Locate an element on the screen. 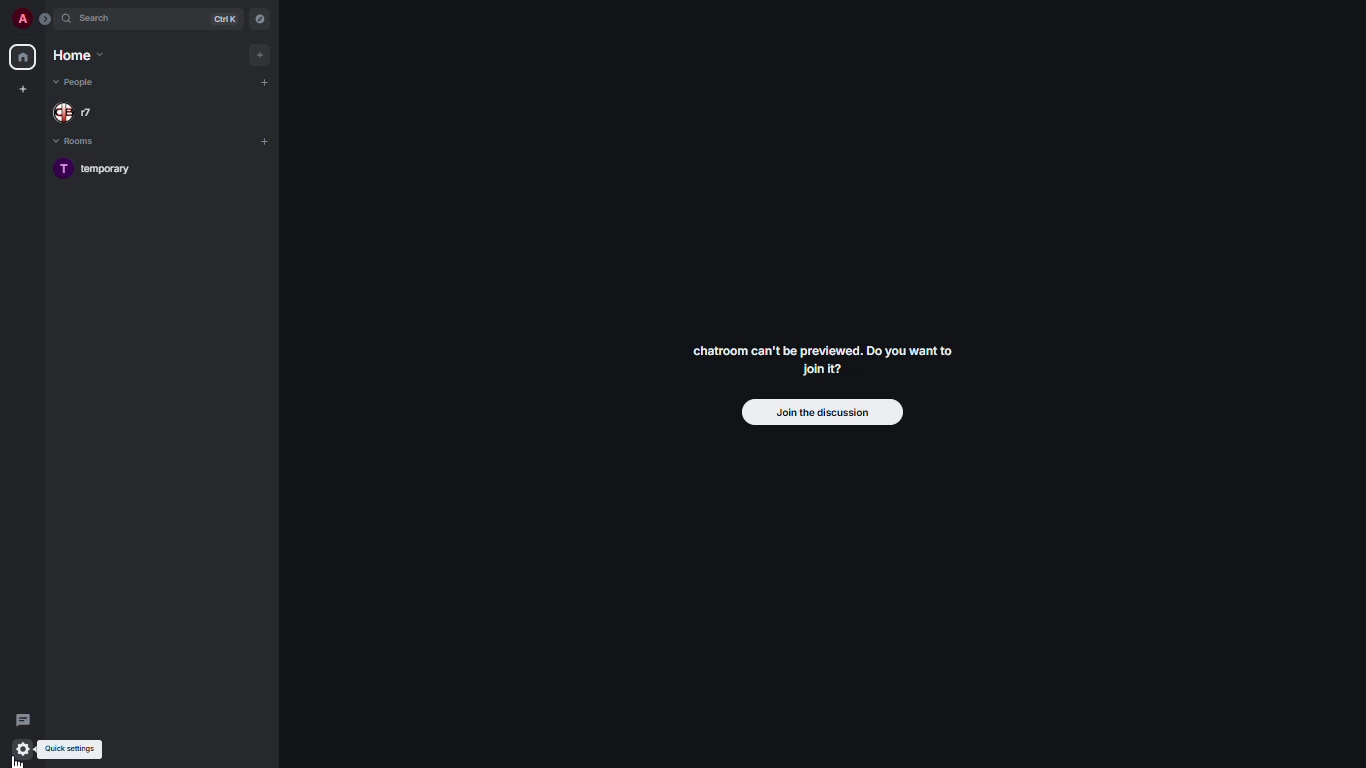 This screenshot has width=1366, height=768. quick settings is located at coordinates (23, 749).